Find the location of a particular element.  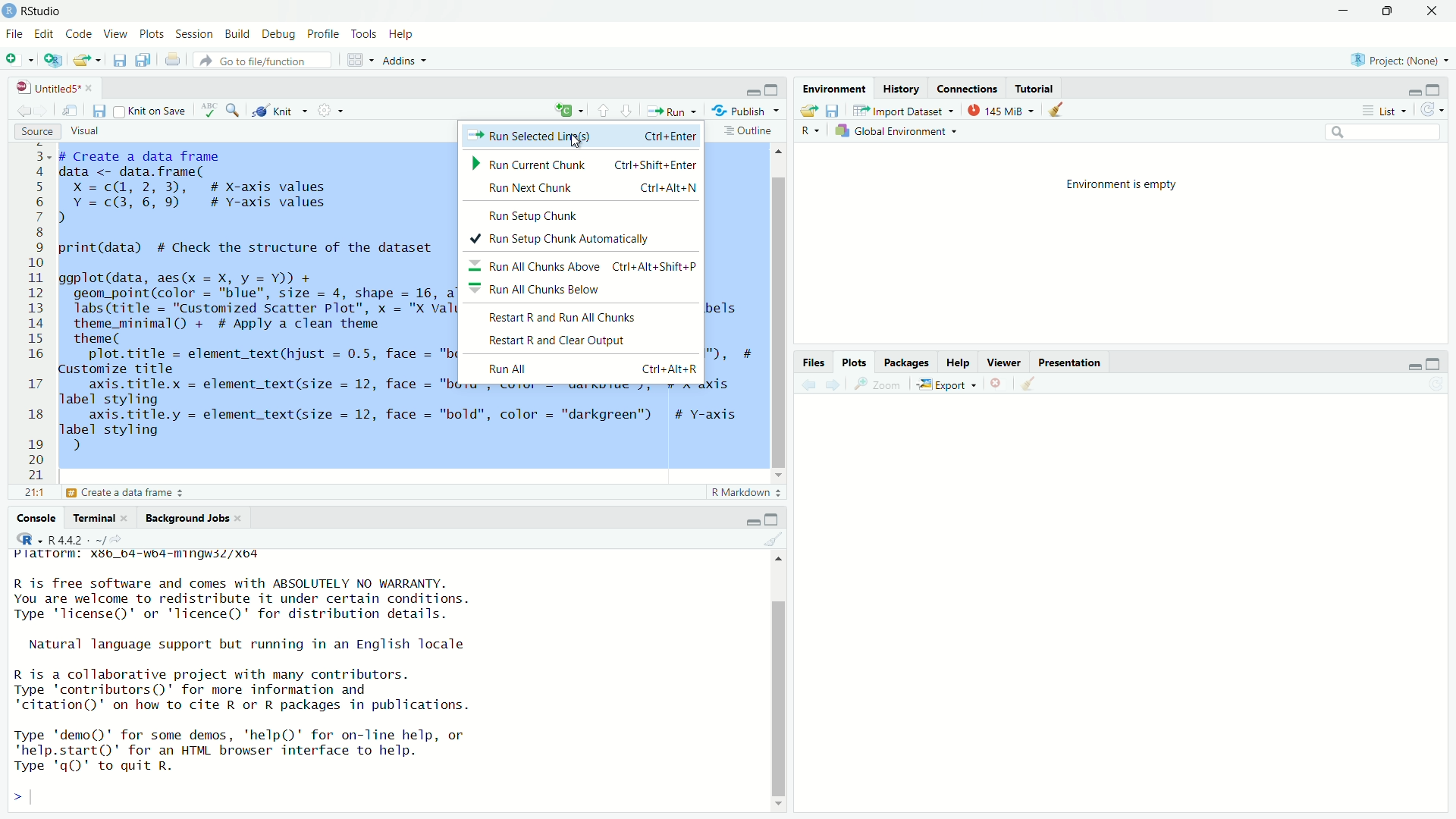

Files is located at coordinates (819, 363).